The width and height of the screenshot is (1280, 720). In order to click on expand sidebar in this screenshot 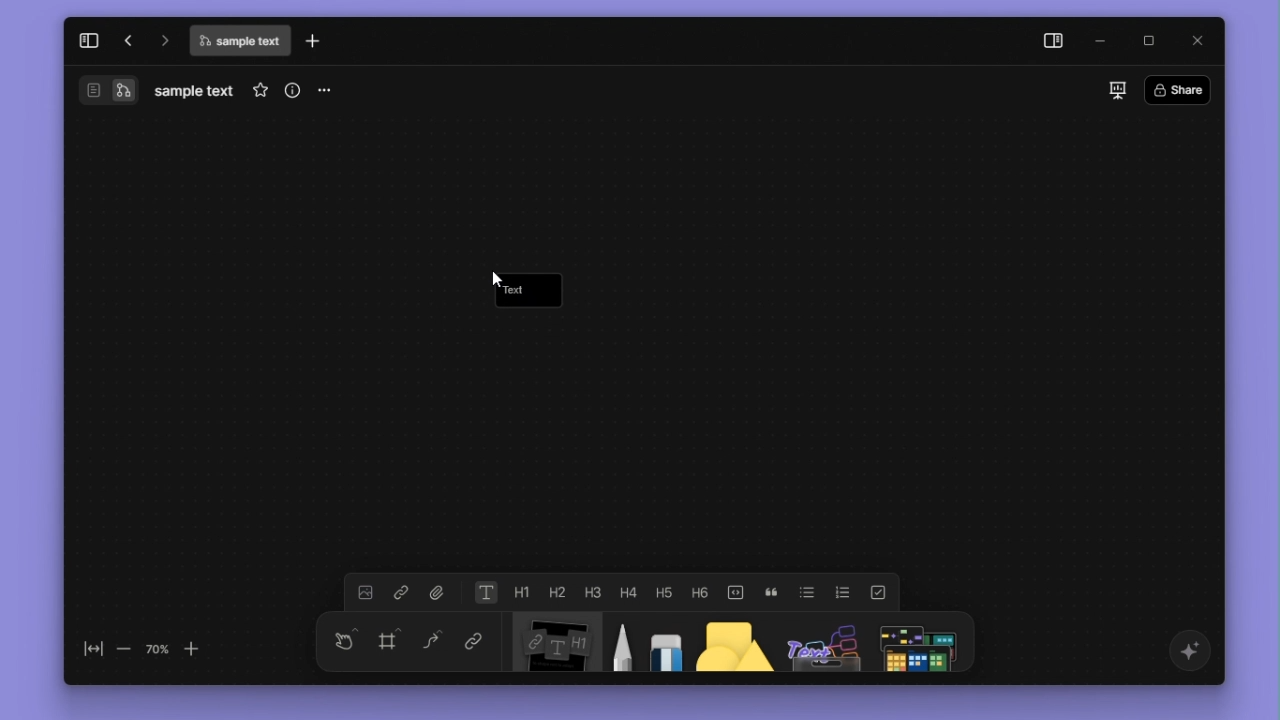, I will do `click(87, 38)`.